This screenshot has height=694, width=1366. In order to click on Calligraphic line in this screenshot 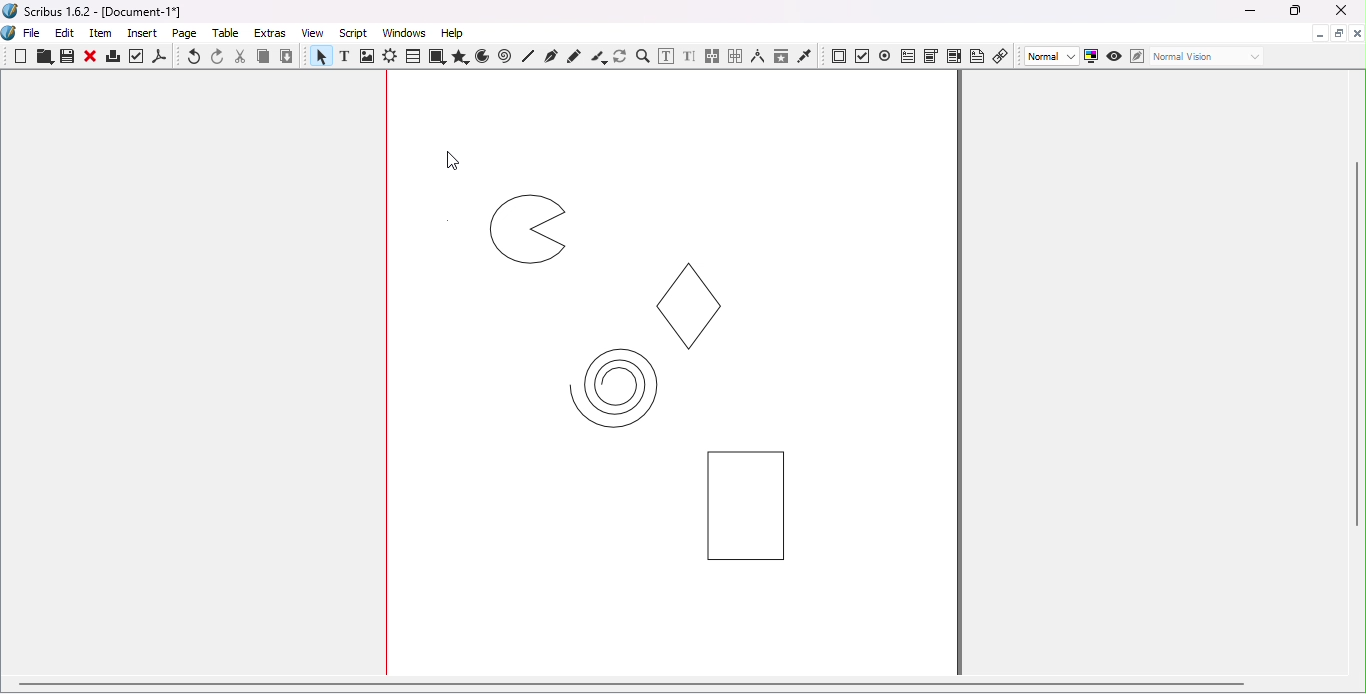, I will do `click(598, 57)`.